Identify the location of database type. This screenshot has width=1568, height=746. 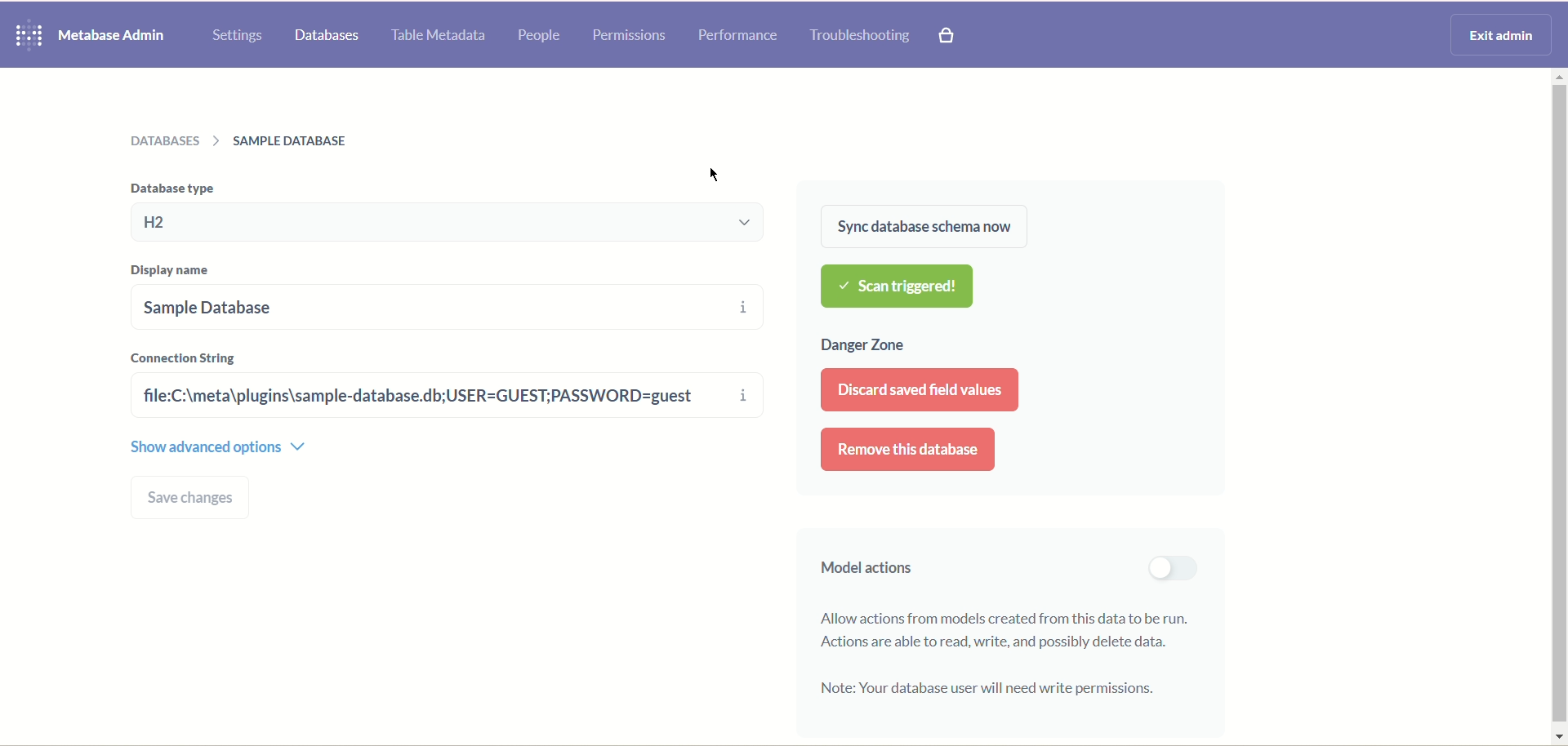
(454, 223).